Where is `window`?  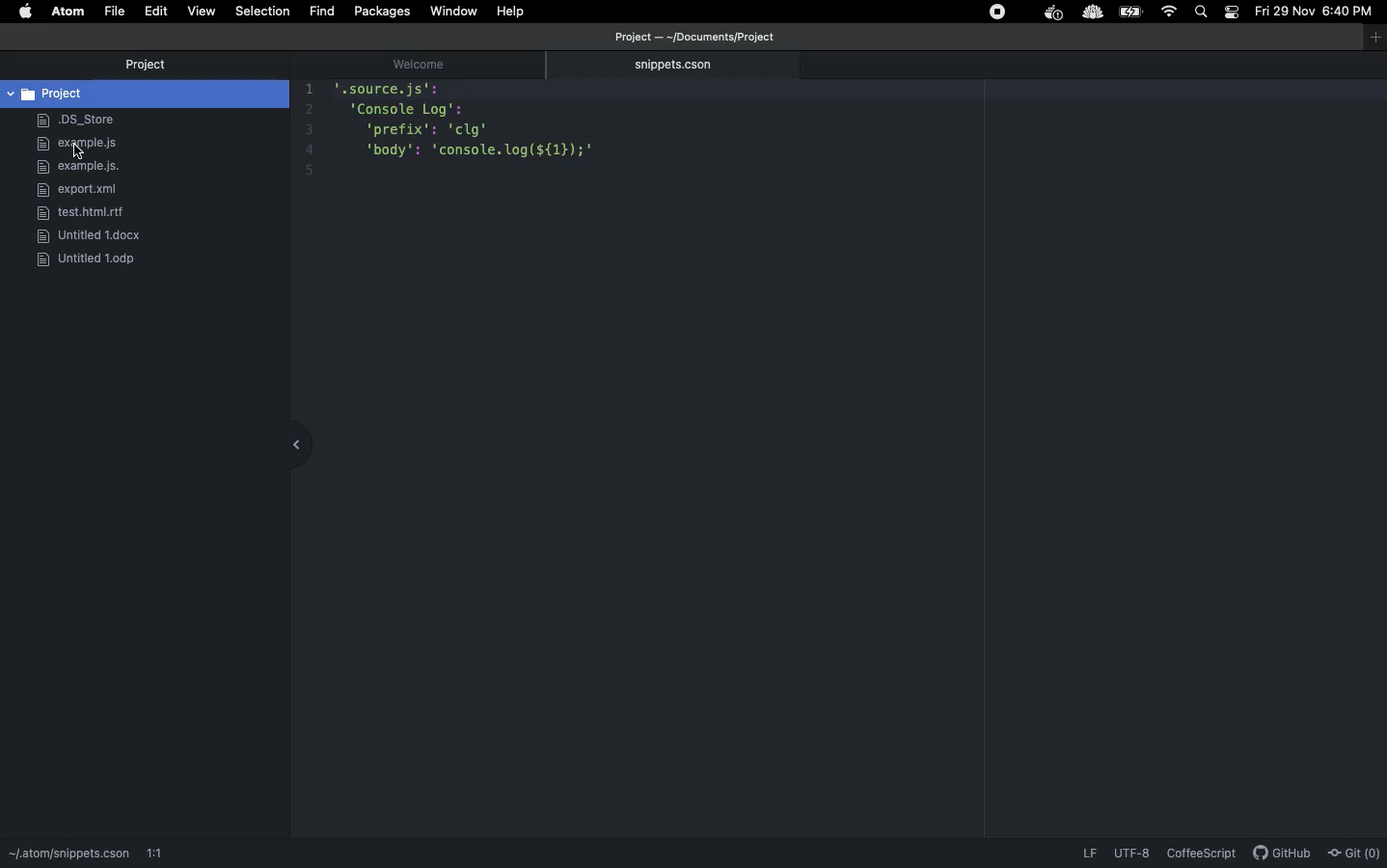 window is located at coordinates (1368, 39).